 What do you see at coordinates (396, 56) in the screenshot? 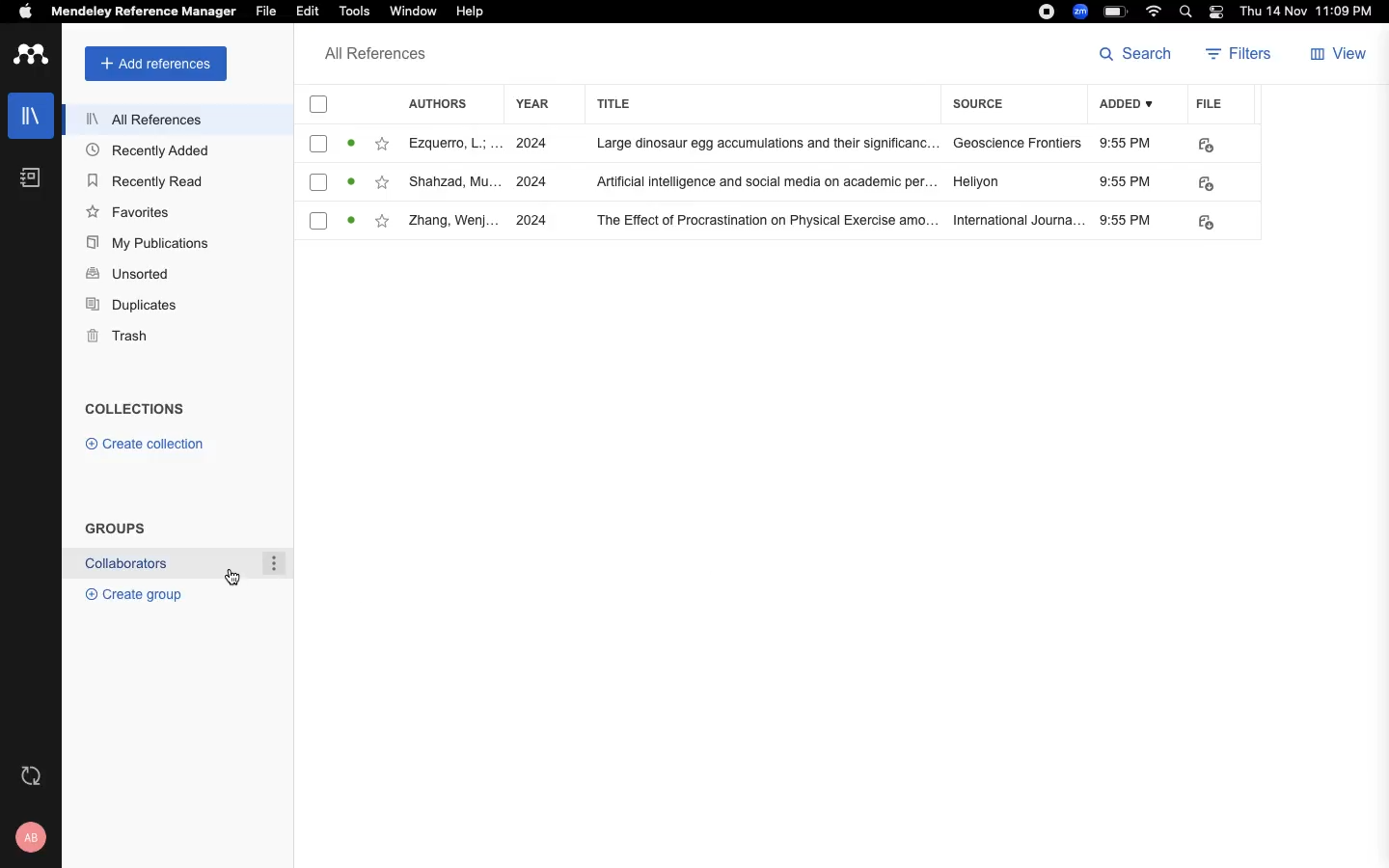
I see `All references` at bounding box center [396, 56].